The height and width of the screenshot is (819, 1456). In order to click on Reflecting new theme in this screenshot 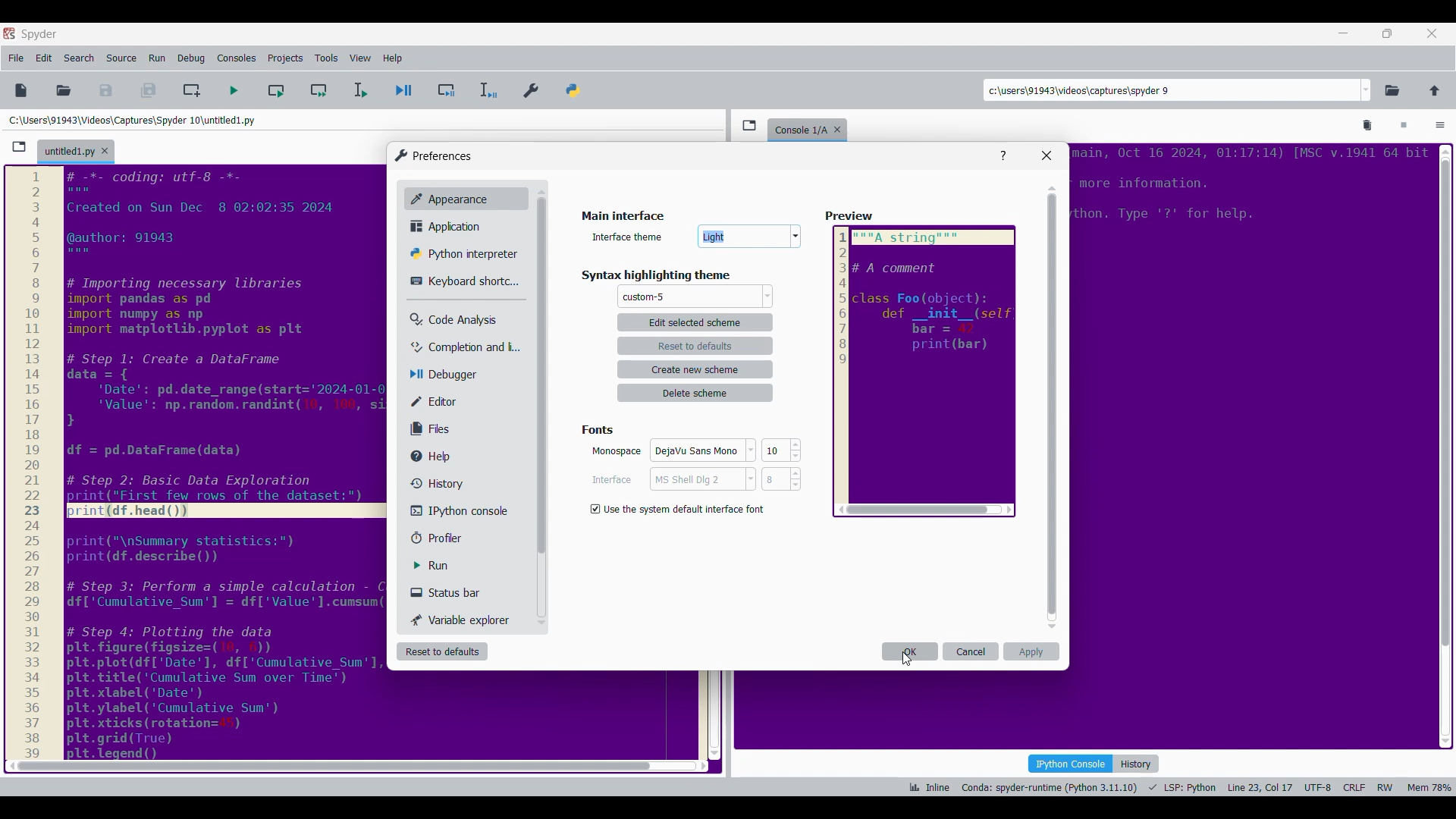, I will do `click(224, 462)`.